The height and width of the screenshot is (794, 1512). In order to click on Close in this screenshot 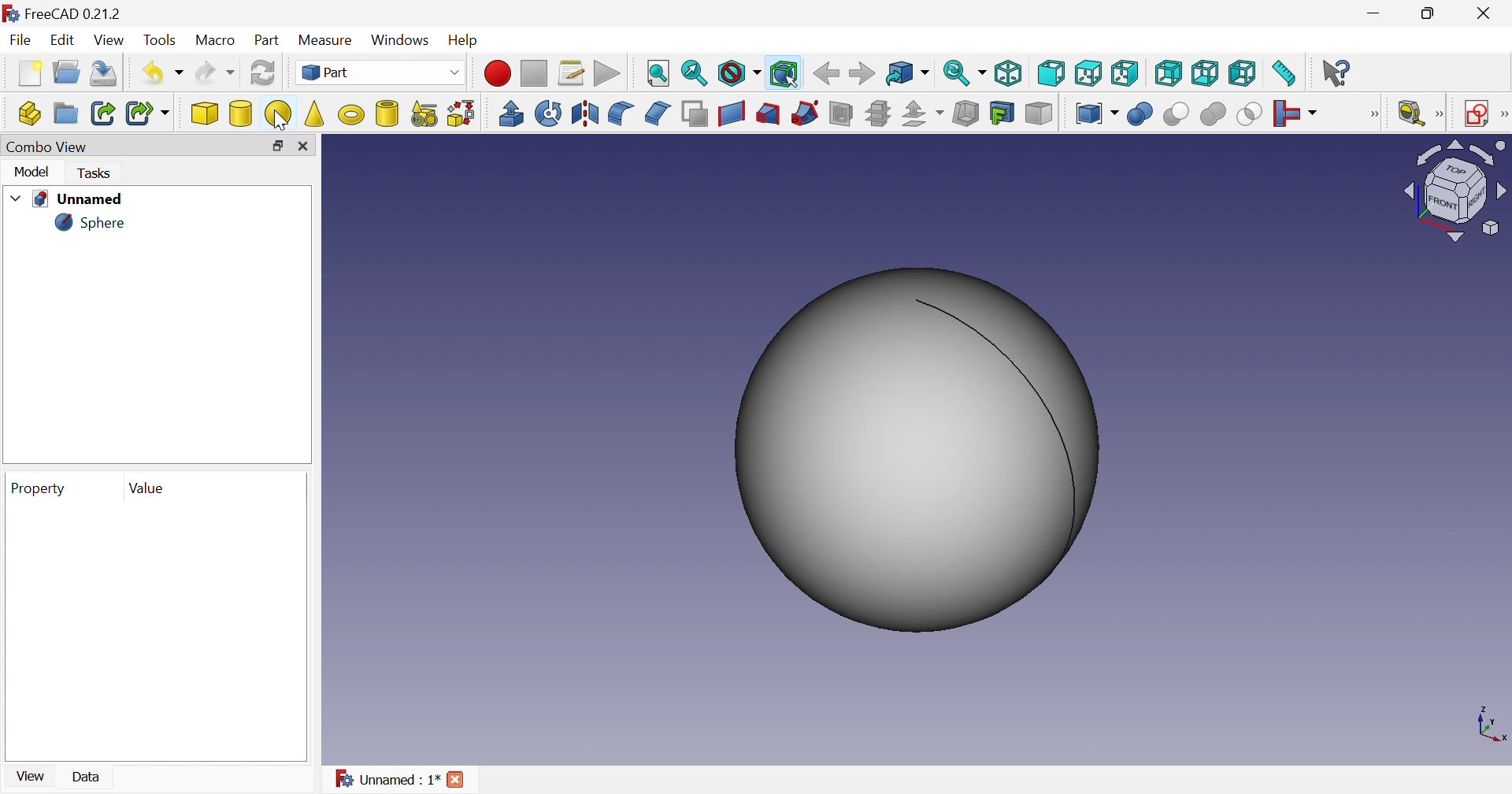, I will do `click(458, 778)`.